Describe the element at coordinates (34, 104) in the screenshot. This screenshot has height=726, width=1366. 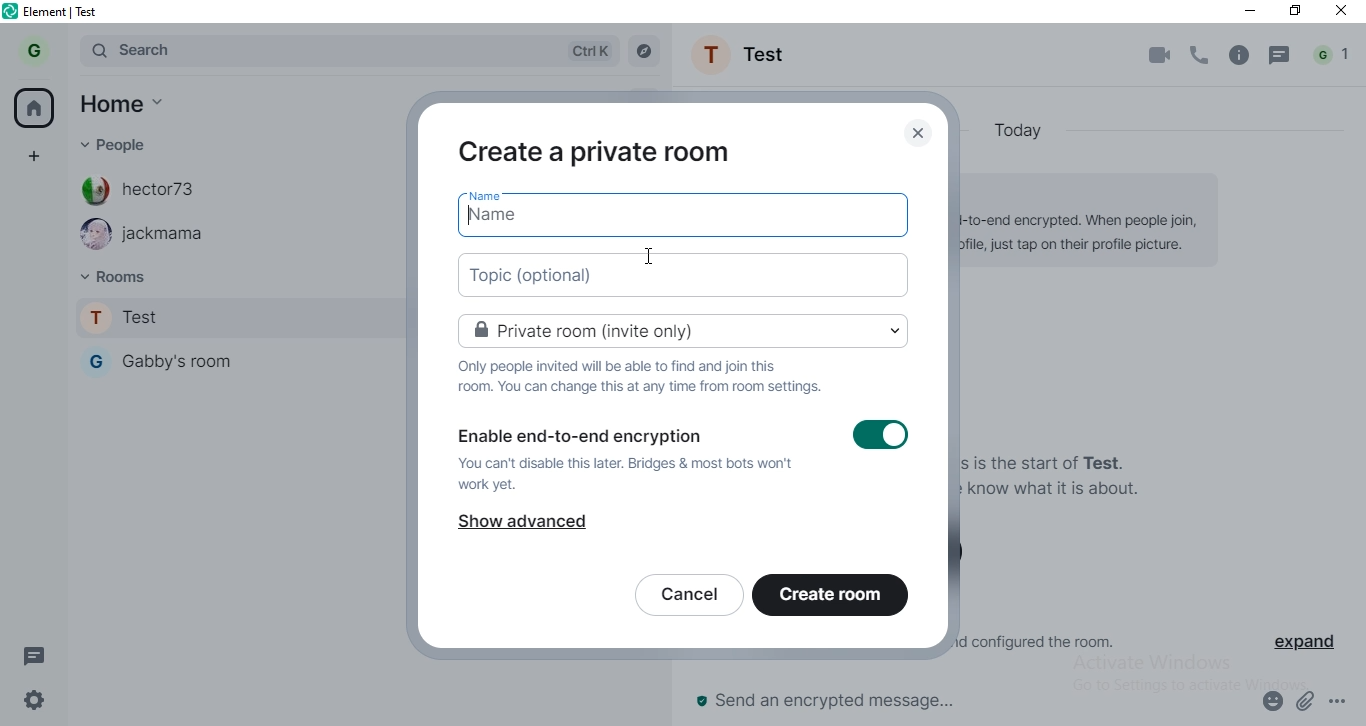
I see `home` at that location.